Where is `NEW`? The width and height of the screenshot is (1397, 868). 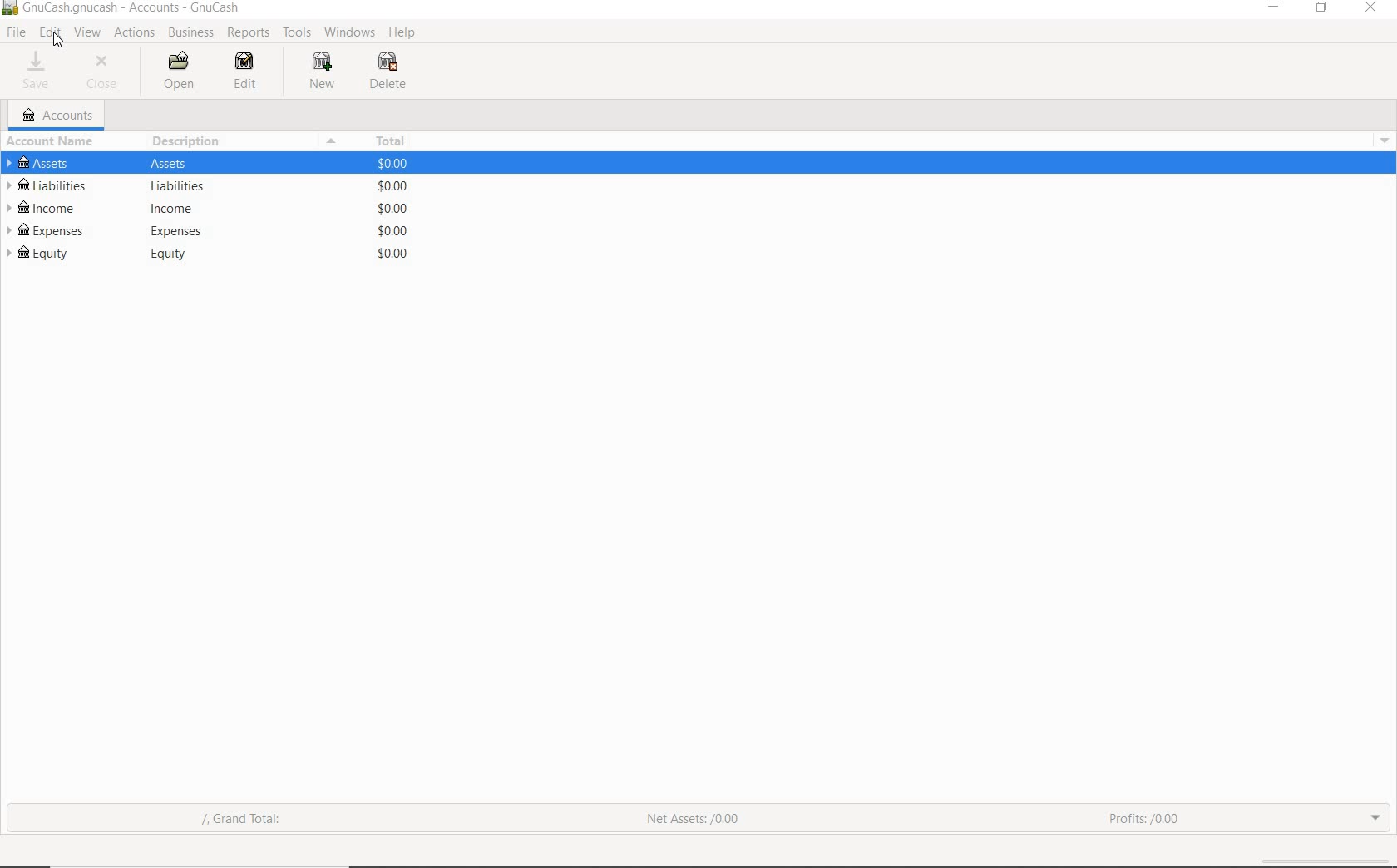 NEW is located at coordinates (323, 72).